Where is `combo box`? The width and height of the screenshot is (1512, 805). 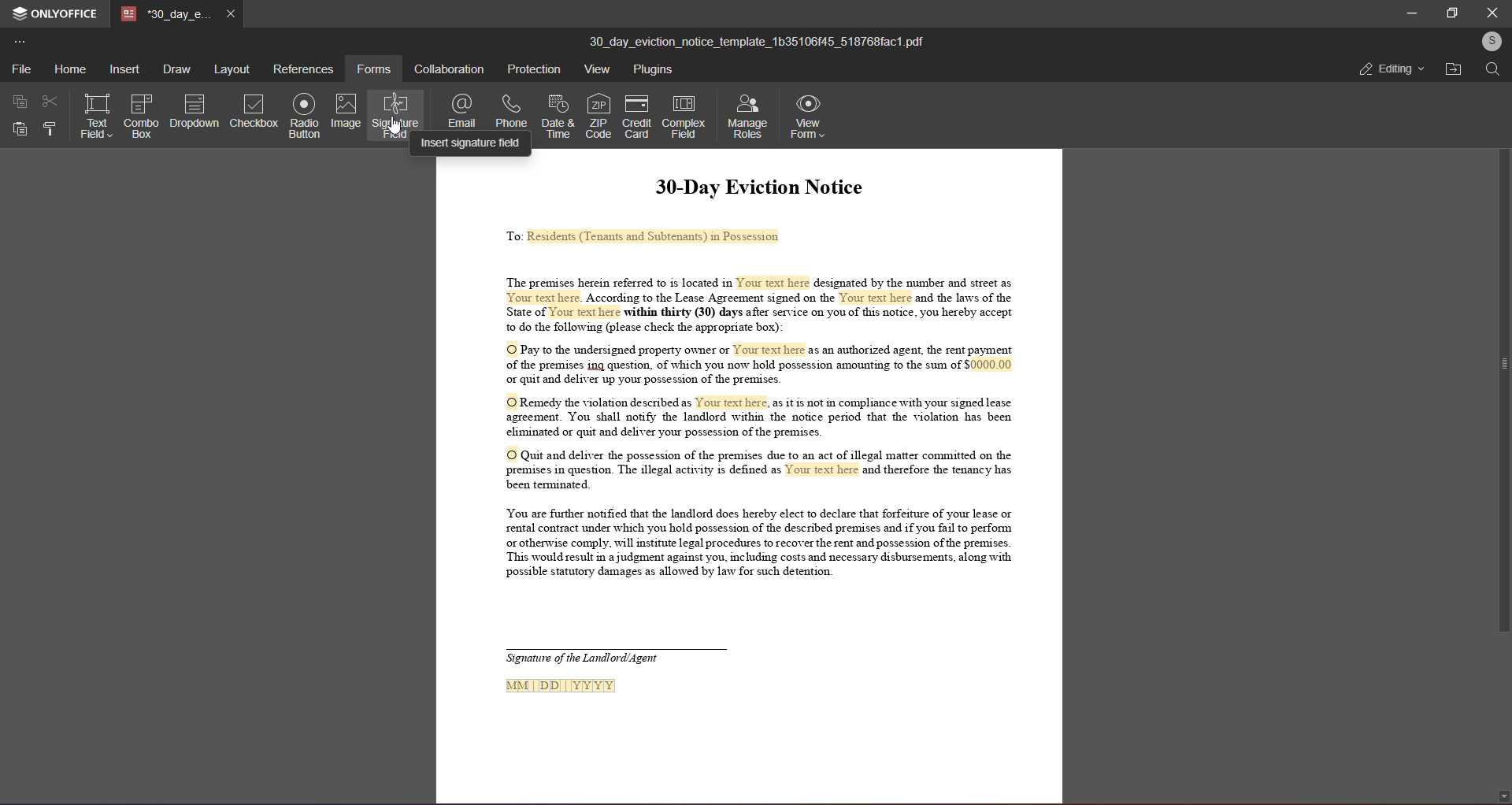
combo box is located at coordinates (140, 115).